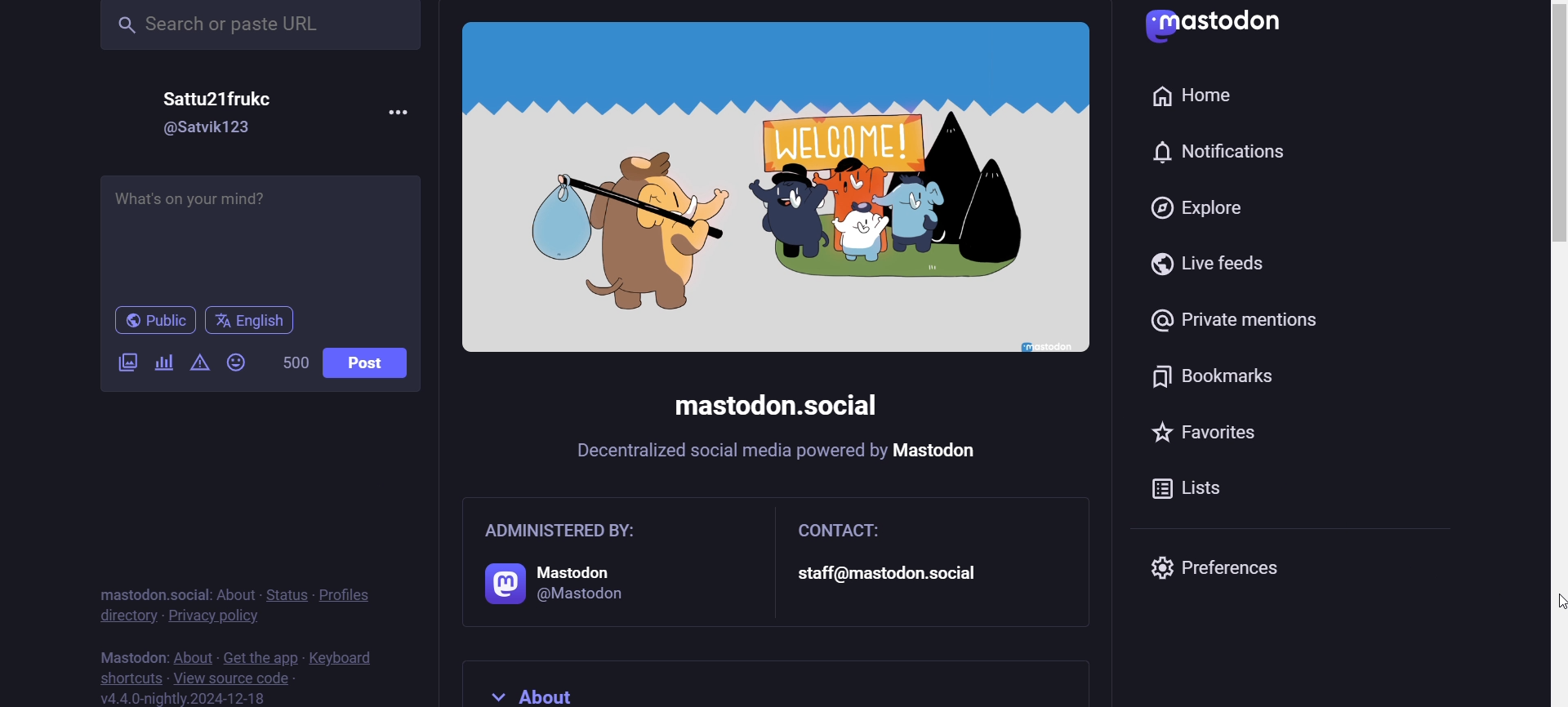  What do you see at coordinates (132, 674) in the screenshot?
I see `shortcut` at bounding box center [132, 674].